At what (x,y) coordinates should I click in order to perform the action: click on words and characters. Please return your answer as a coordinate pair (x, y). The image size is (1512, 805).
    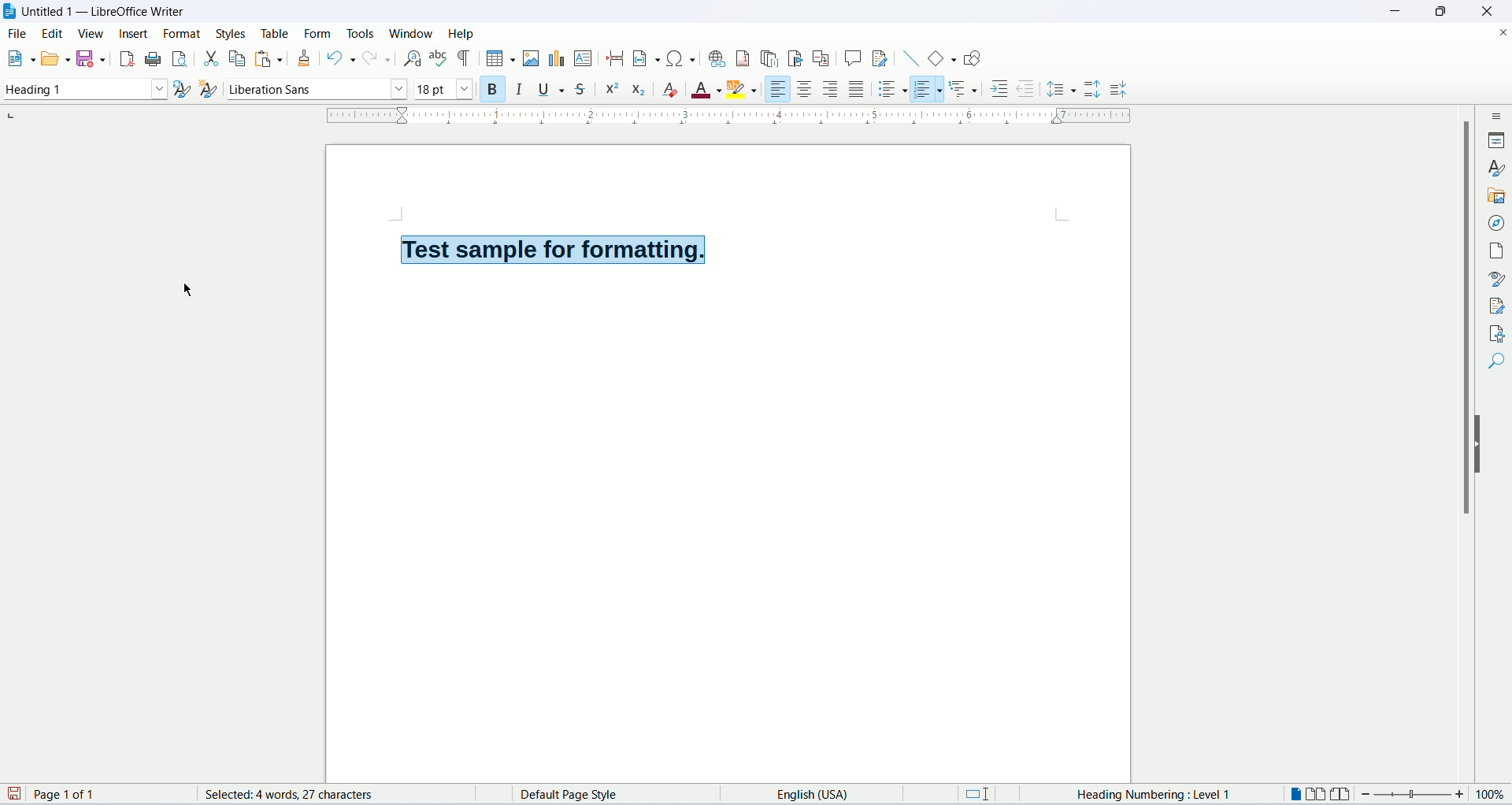
    Looking at the image, I should click on (272, 795).